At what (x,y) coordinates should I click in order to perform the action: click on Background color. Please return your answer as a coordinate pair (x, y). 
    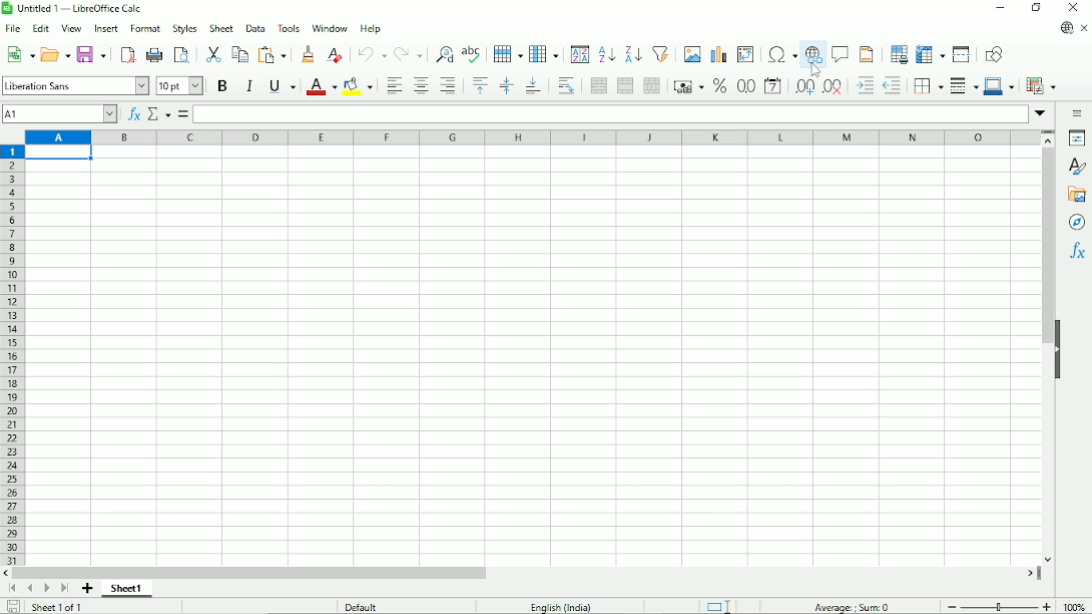
    Looking at the image, I should click on (359, 86).